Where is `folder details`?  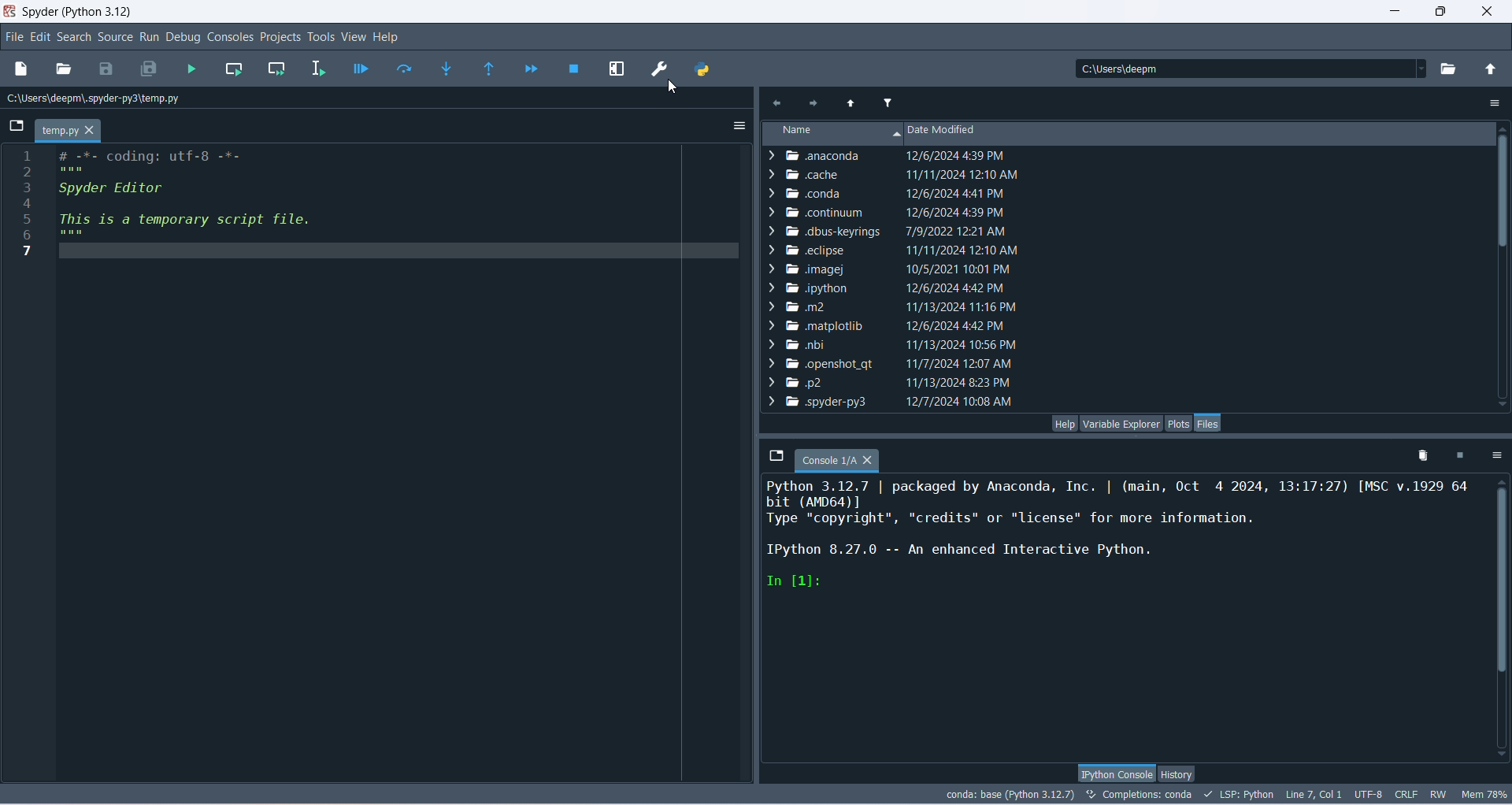
folder details is located at coordinates (893, 229).